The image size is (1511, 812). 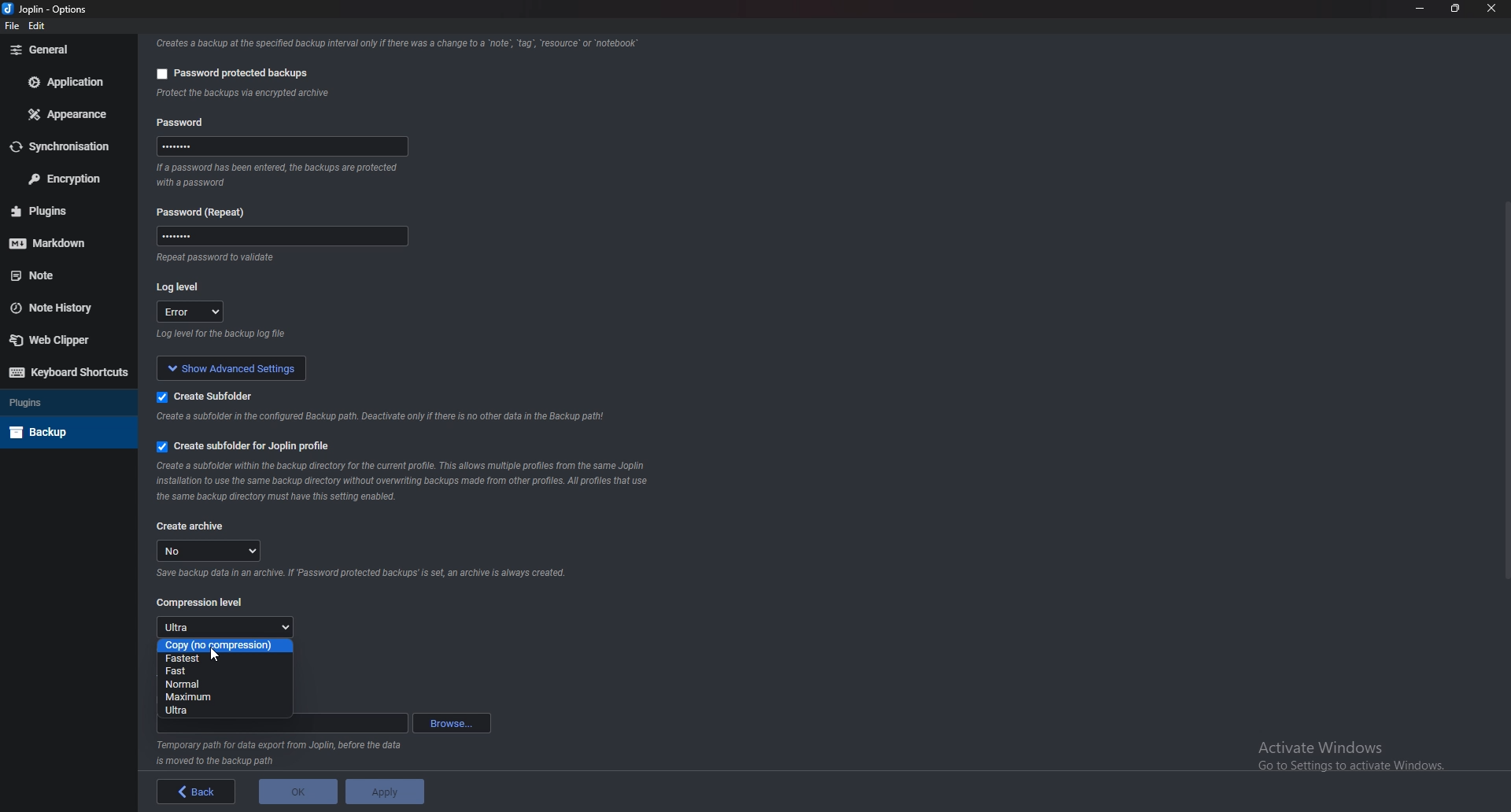 What do you see at coordinates (281, 336) in the screenshot?
I see `info` at bounding box center [281, 336].